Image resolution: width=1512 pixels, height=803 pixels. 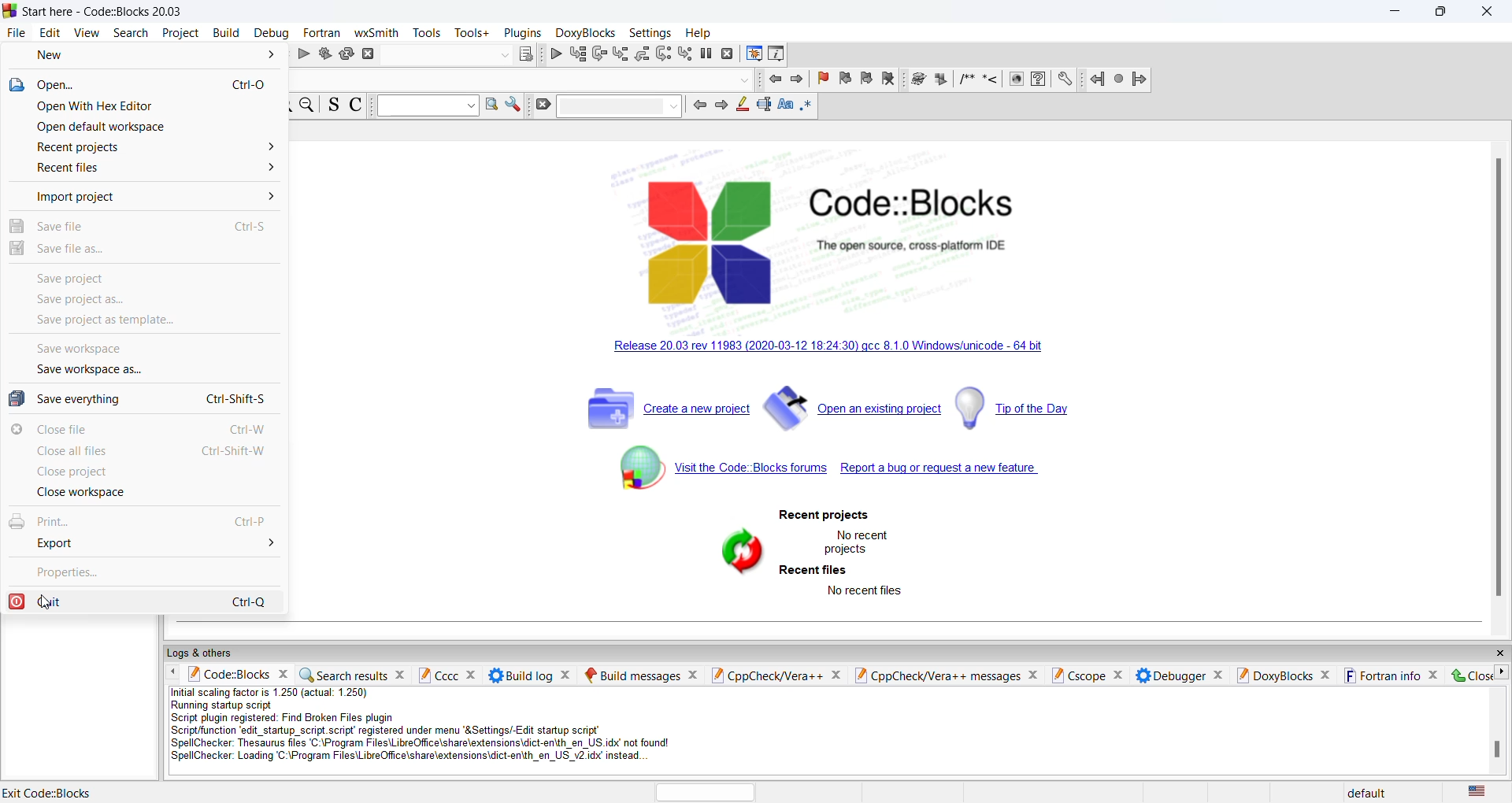 I want to click on open existing project, so click(x=854, y=413).